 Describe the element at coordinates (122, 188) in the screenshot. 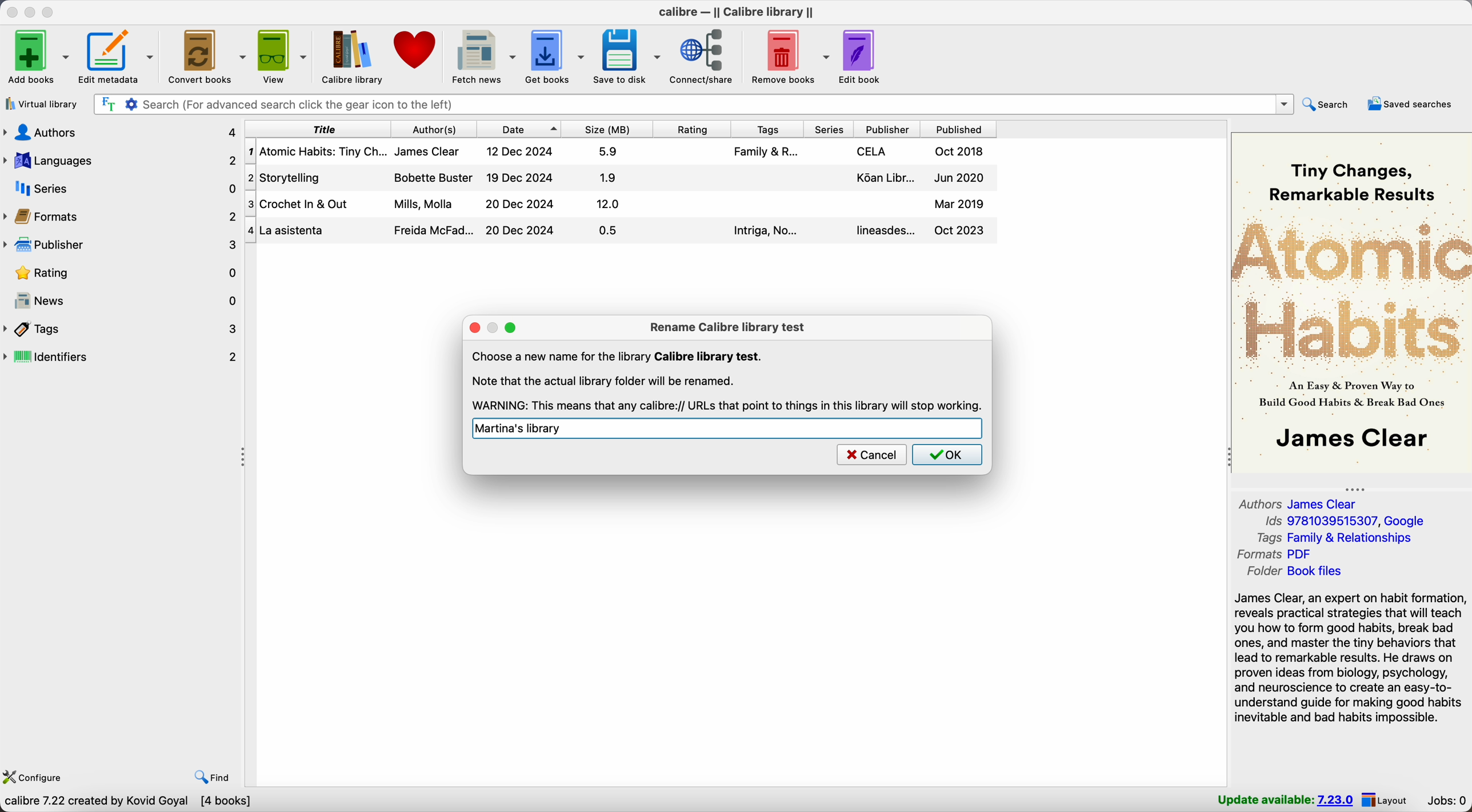

I see `series` at that location.